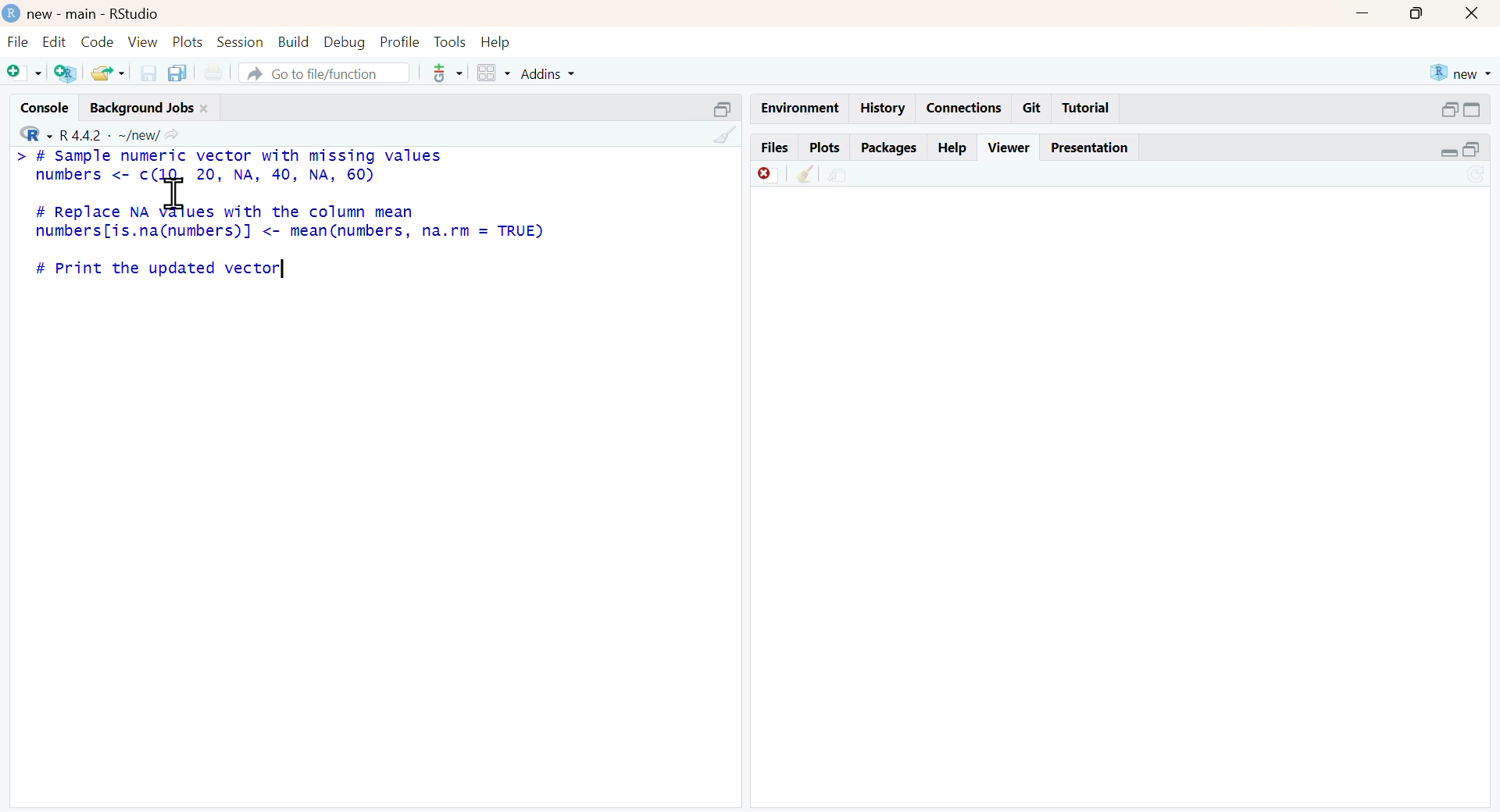 This screenshot has width=1500, height=812. I want to click on clean, so click(806, 175).